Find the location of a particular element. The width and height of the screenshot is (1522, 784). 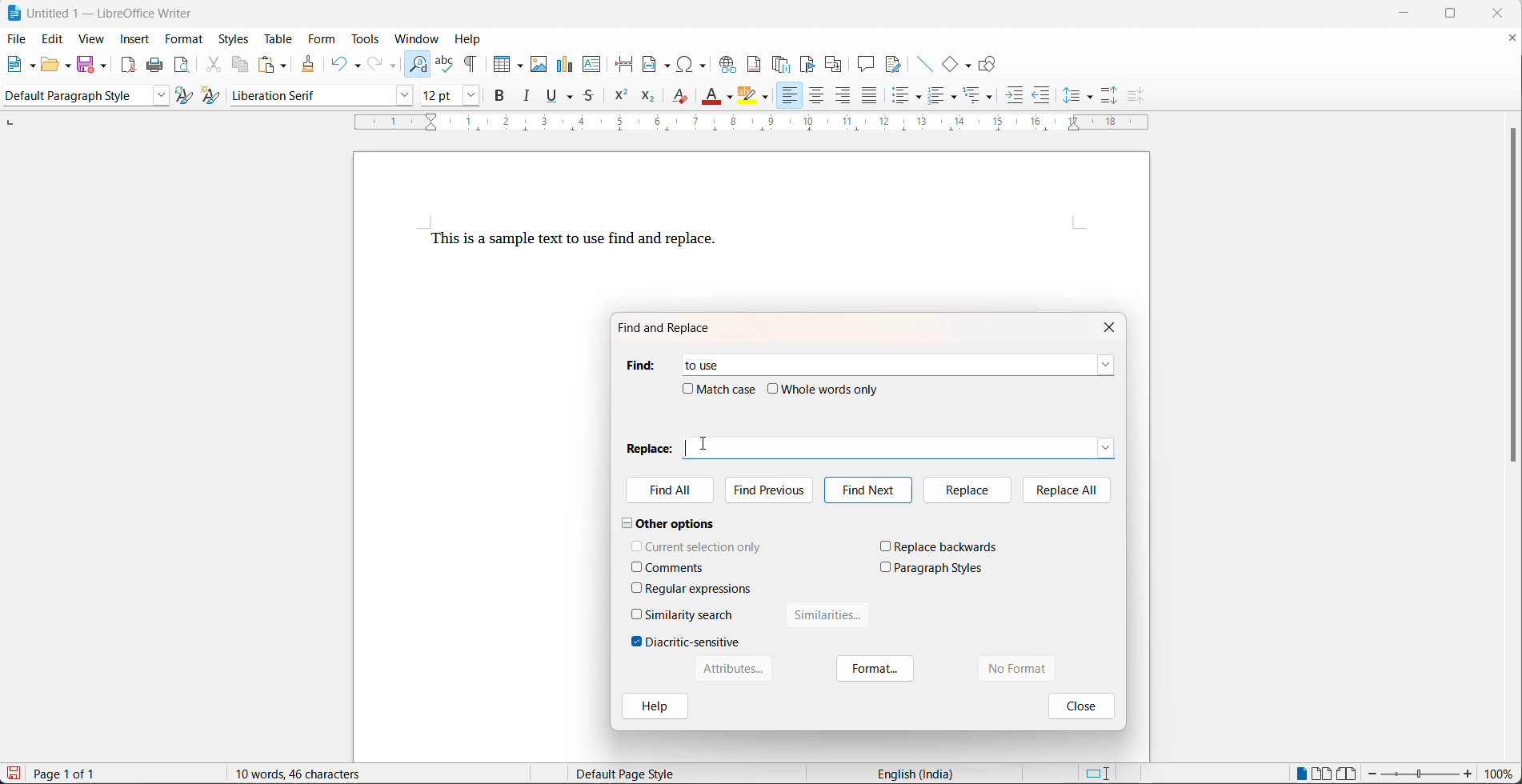

regular expressions is located at coordinates (700, 589).